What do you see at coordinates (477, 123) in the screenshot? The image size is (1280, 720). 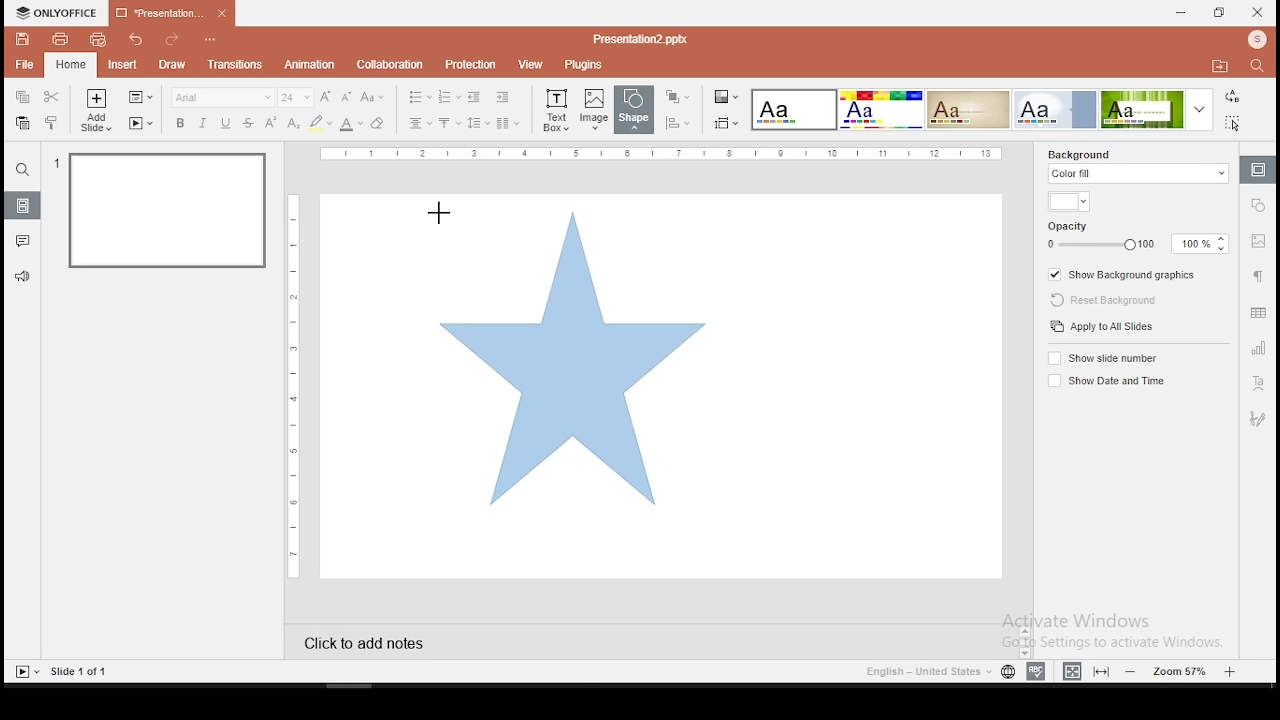 I see `spacing` at bounding box center [477, 123].